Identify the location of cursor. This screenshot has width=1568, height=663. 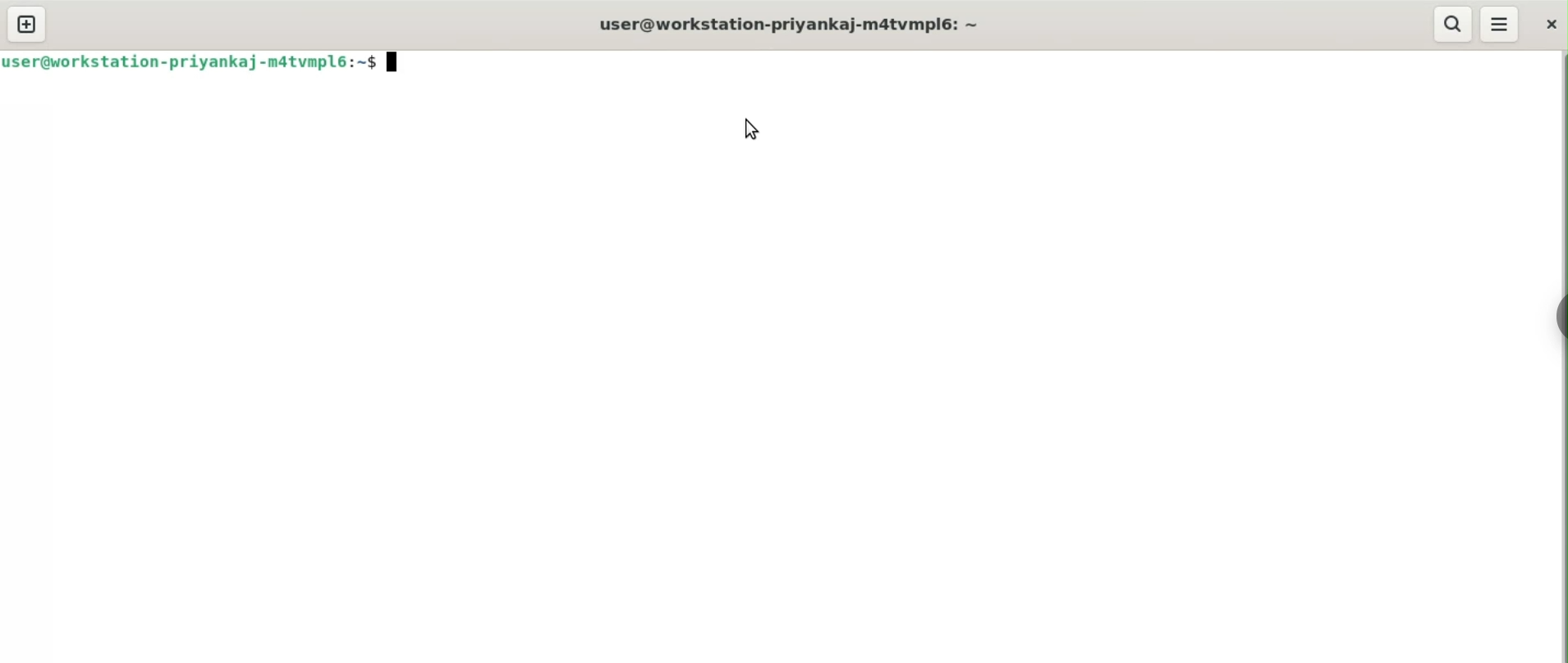
(749, 129).